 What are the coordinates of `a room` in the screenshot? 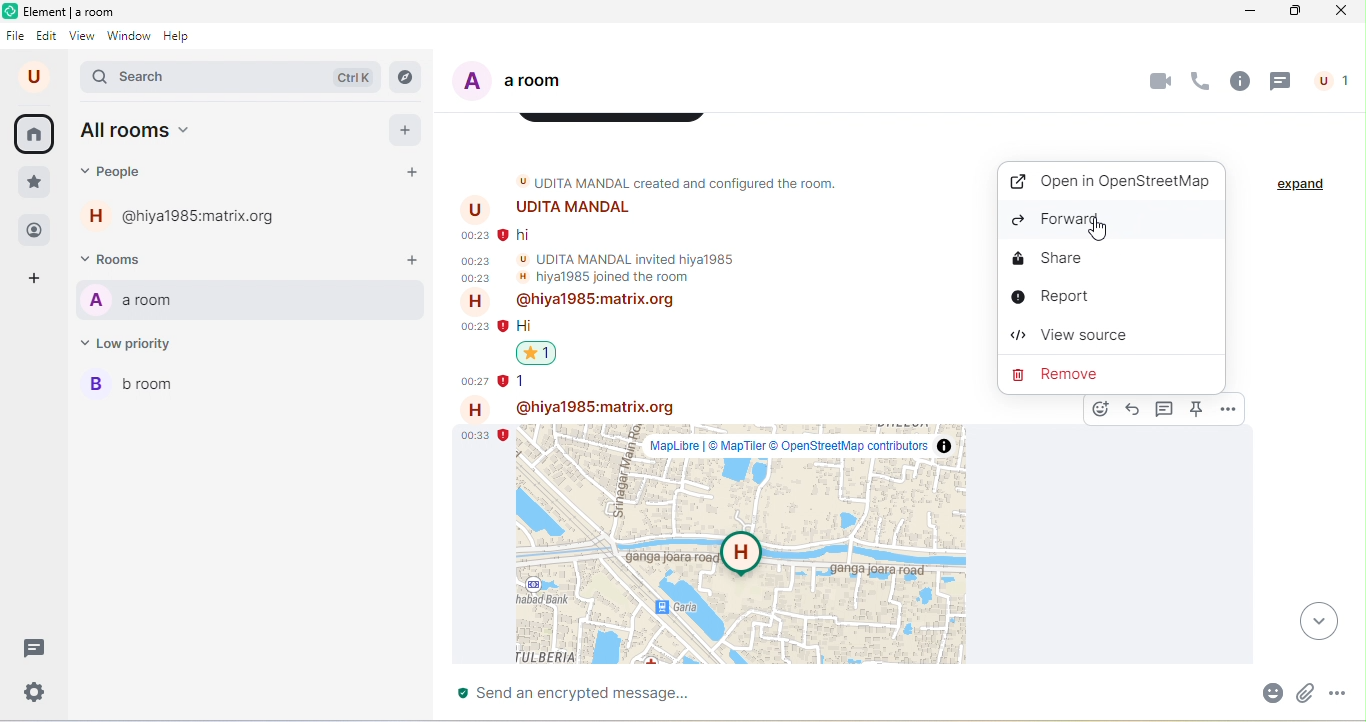 It's located at (521, 82).